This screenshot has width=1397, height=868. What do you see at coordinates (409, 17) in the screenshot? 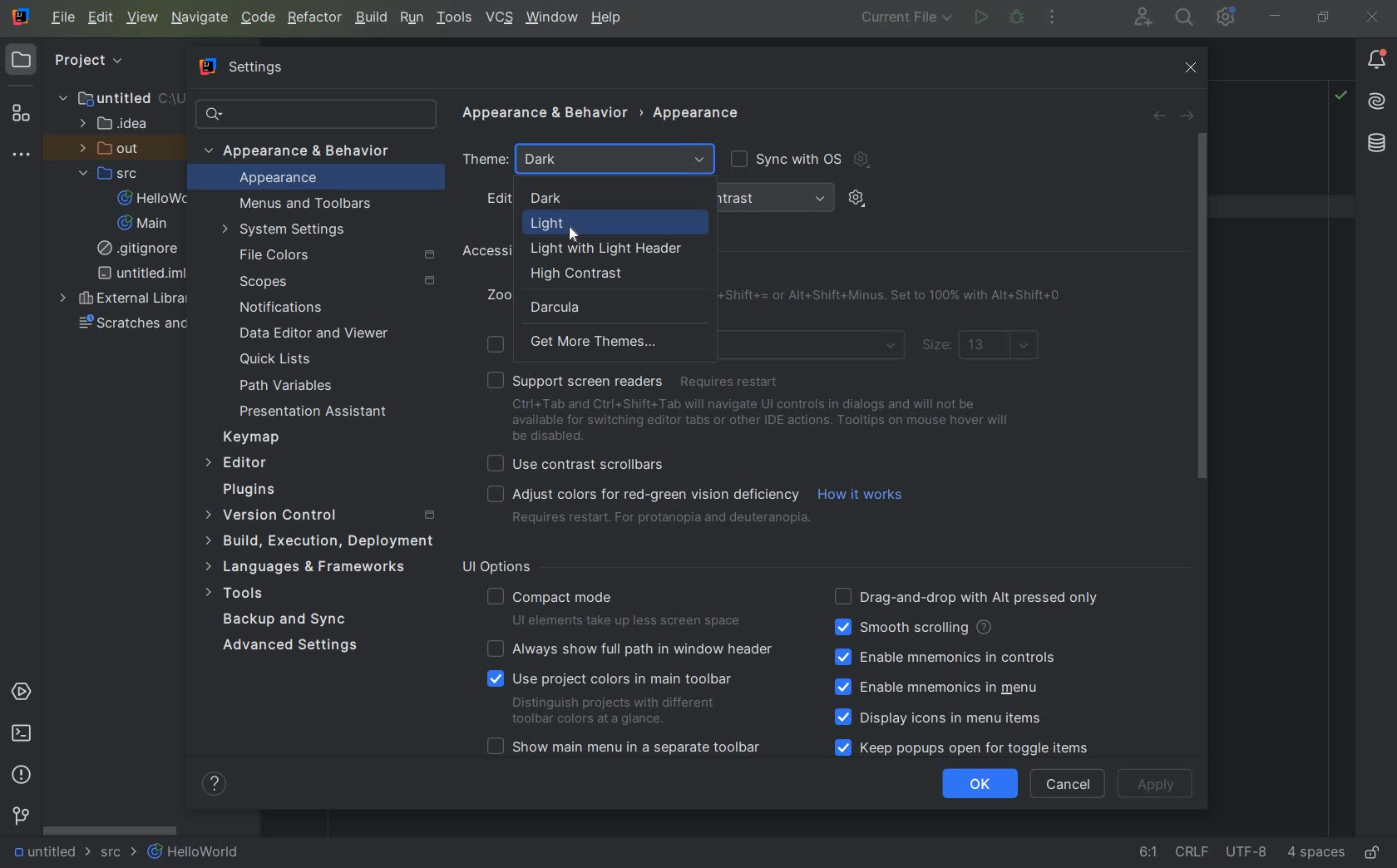
I see `RUN` at bounding box center [409, 17].